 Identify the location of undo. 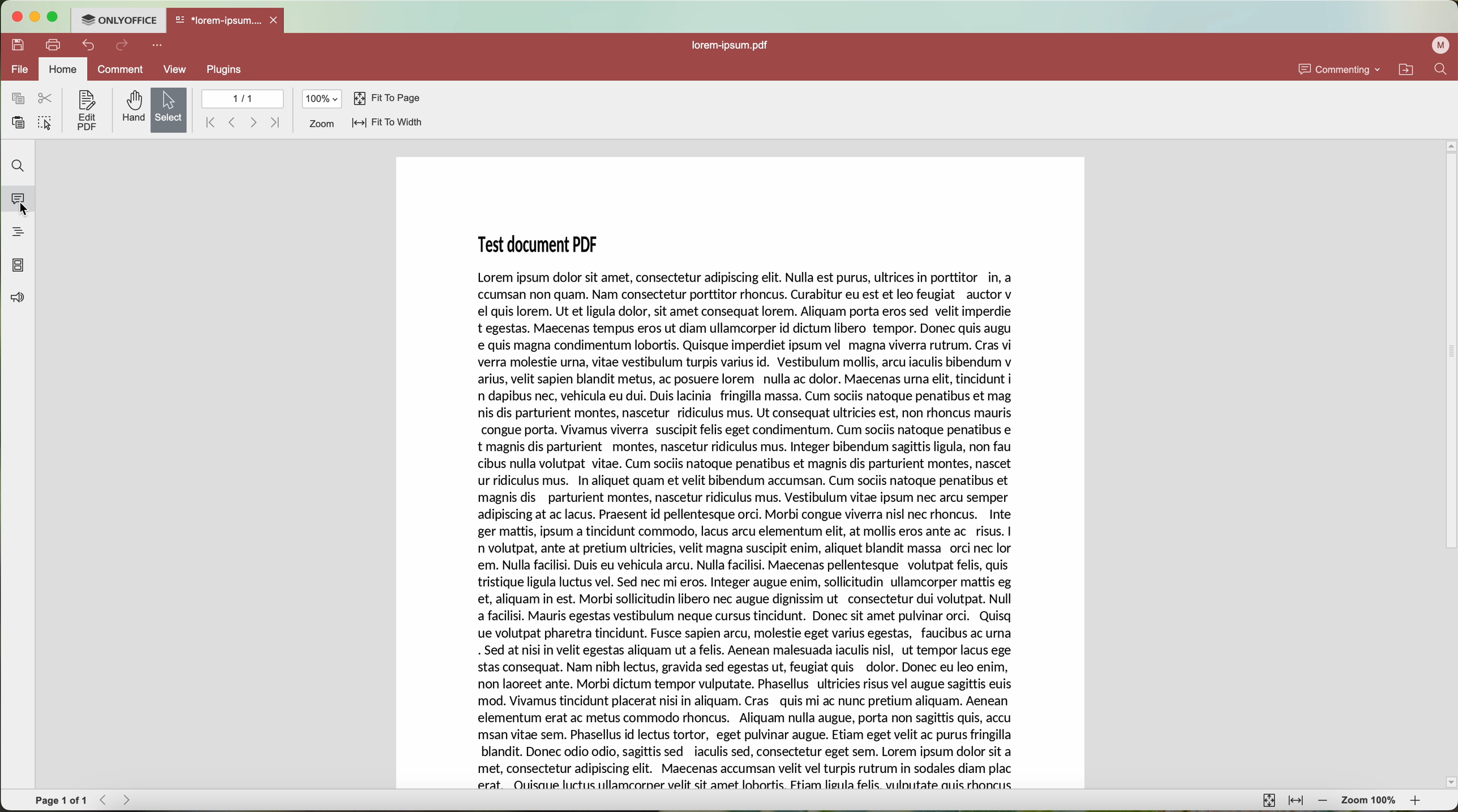
(88, 45).